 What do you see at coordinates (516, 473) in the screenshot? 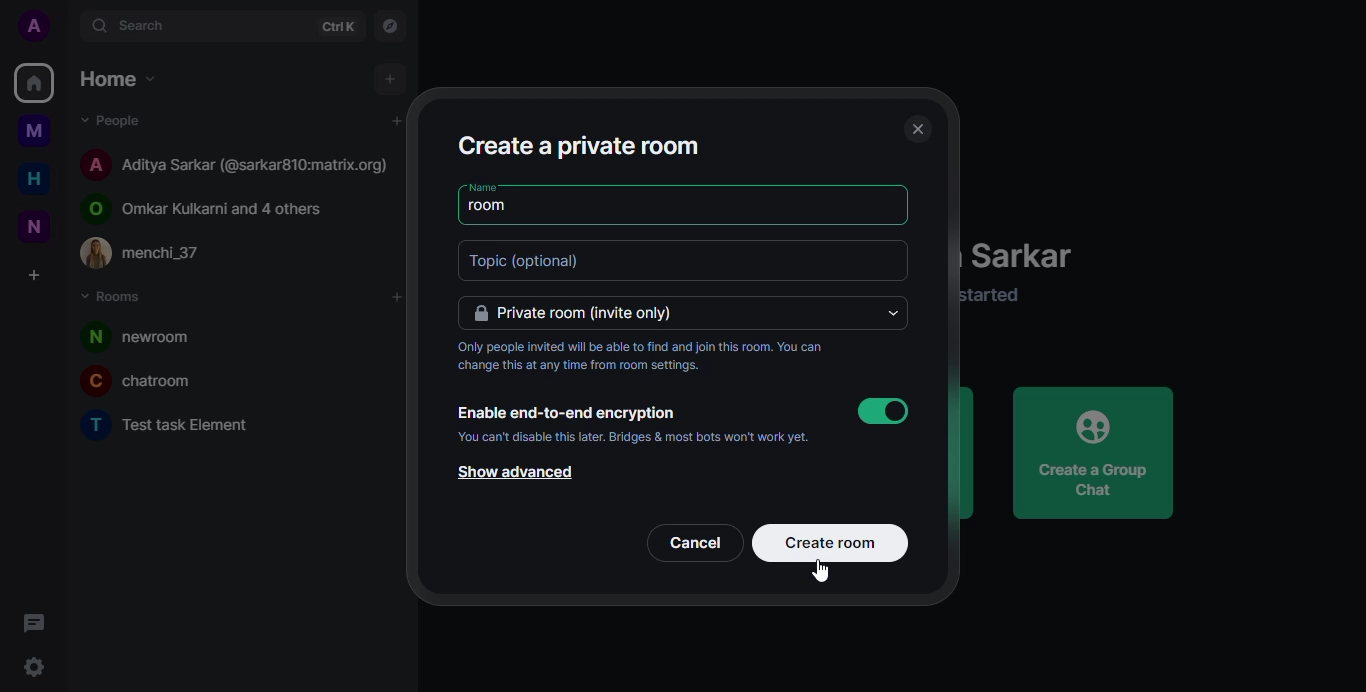
I see `show advanced` at bounding box center [516, 473].